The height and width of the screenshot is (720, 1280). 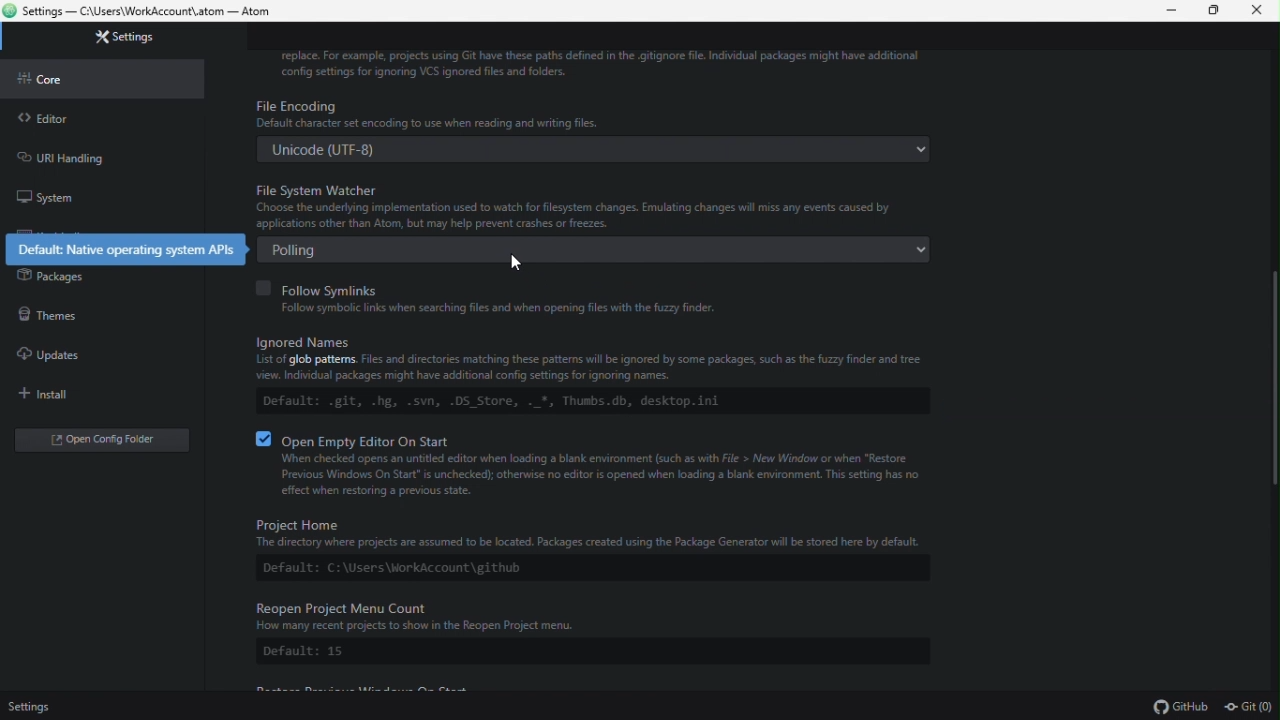 I want to click on Default:15, so click(x=304, y=651).